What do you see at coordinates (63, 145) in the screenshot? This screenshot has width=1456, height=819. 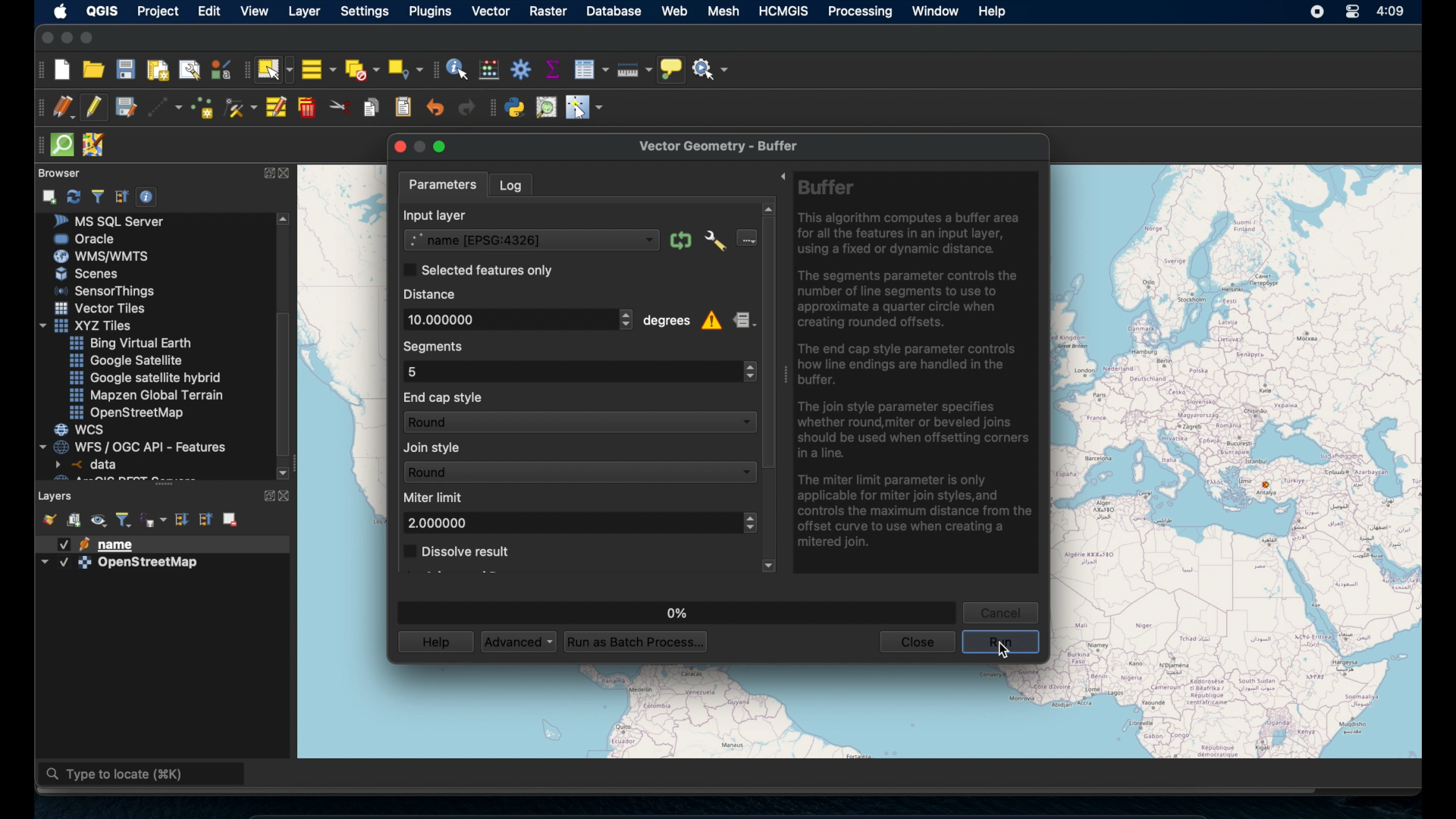 I see `quicksom` at bounding box center [63, 145].